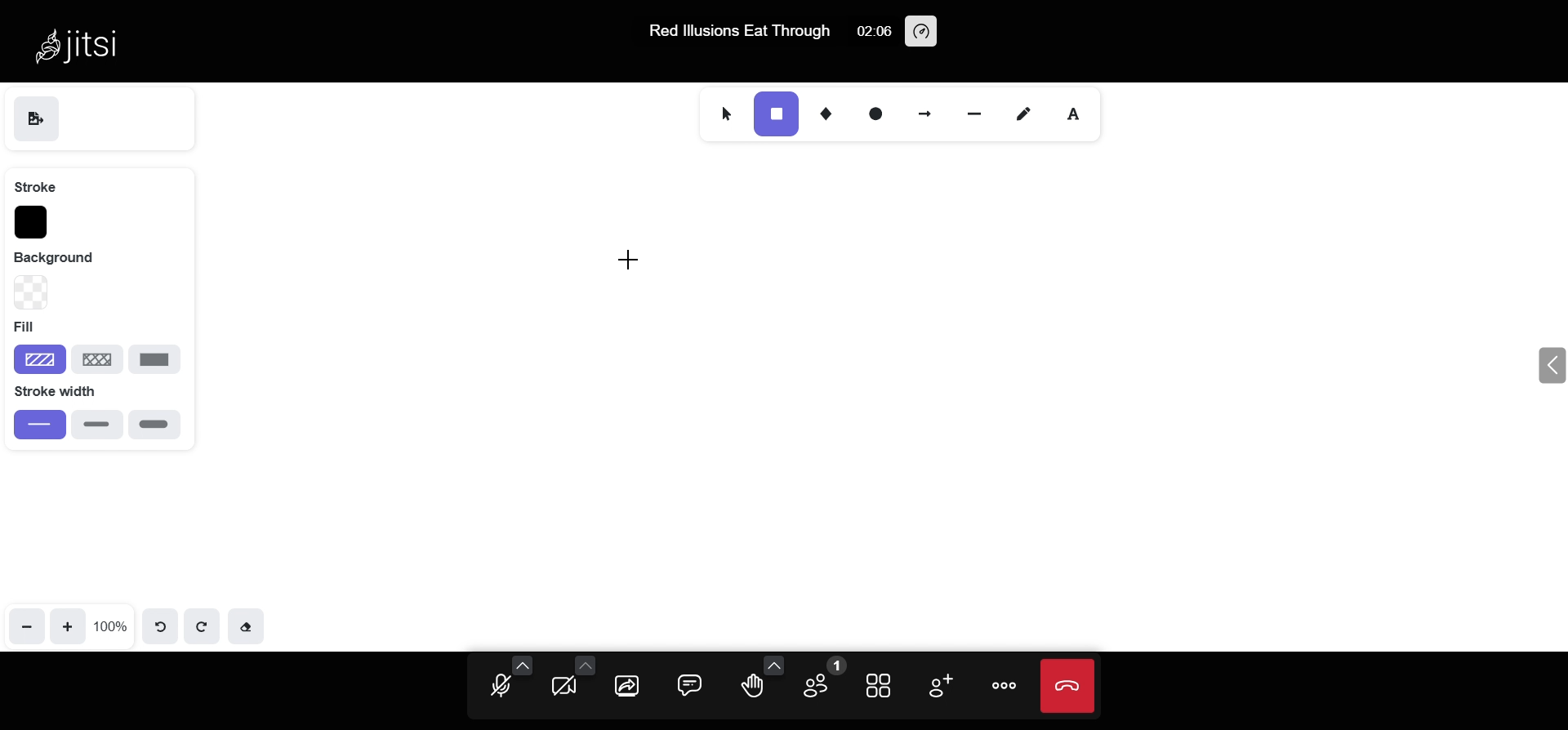  What do you see at coordinates (31, 328) in the screenshot?
I see `fill` at bounding box center [31, 328].